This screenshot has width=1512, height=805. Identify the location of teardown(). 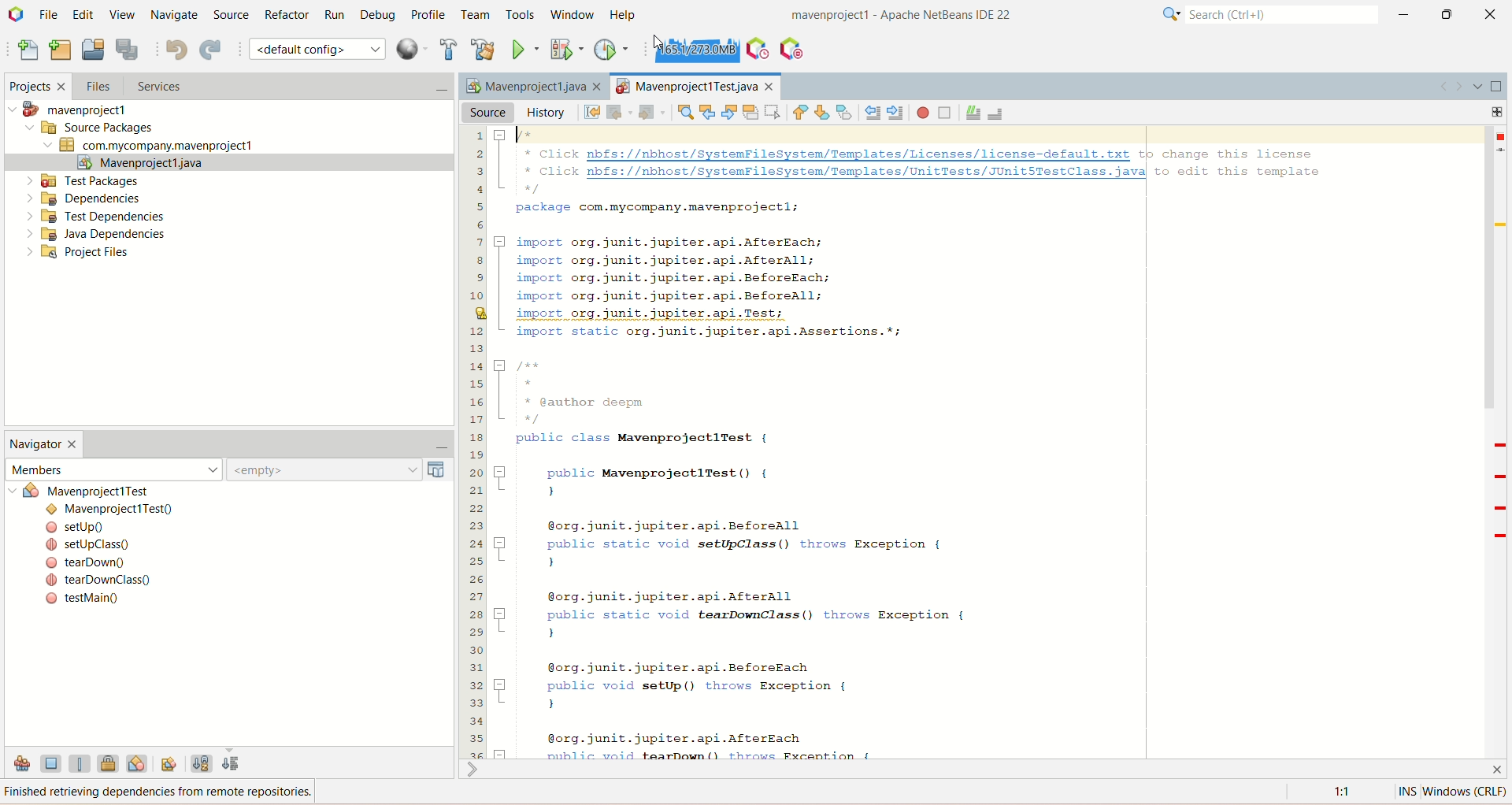
(120, 561).